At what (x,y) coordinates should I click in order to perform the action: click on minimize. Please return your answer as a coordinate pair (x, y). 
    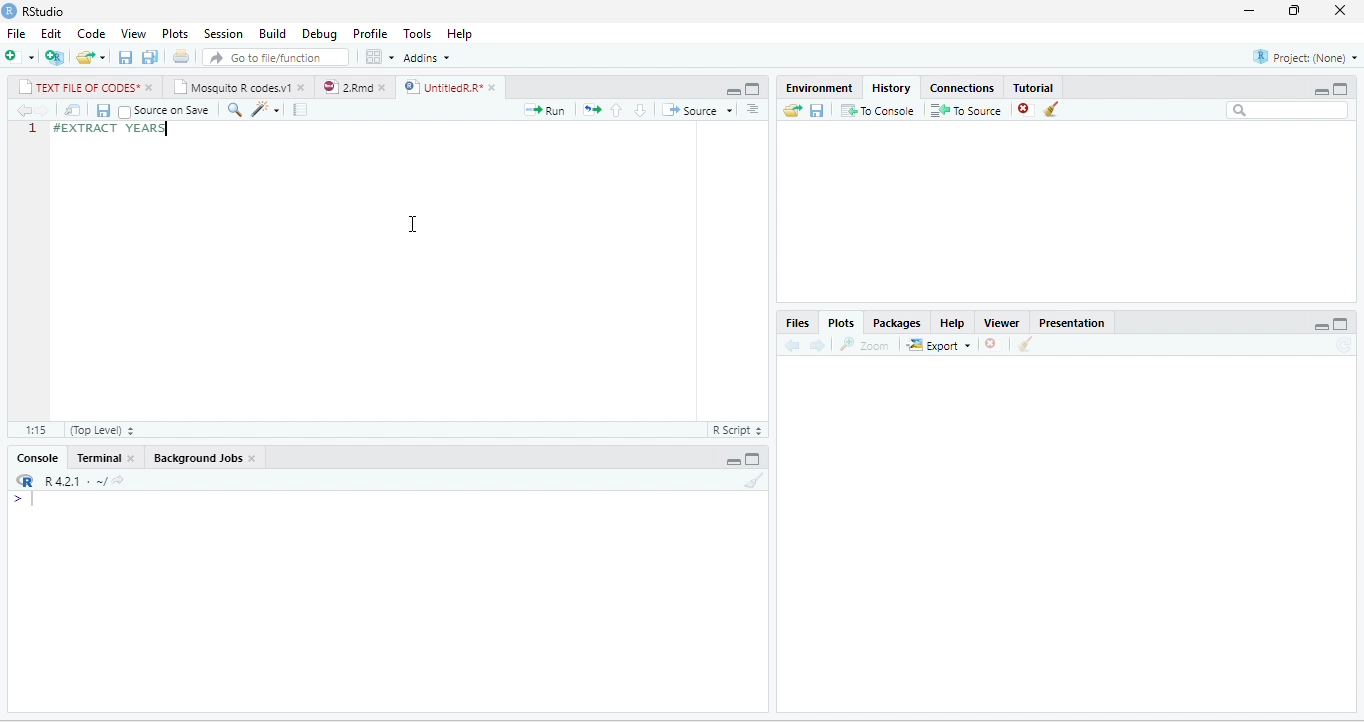
    Looking at the image, I should click on (1250, 11).